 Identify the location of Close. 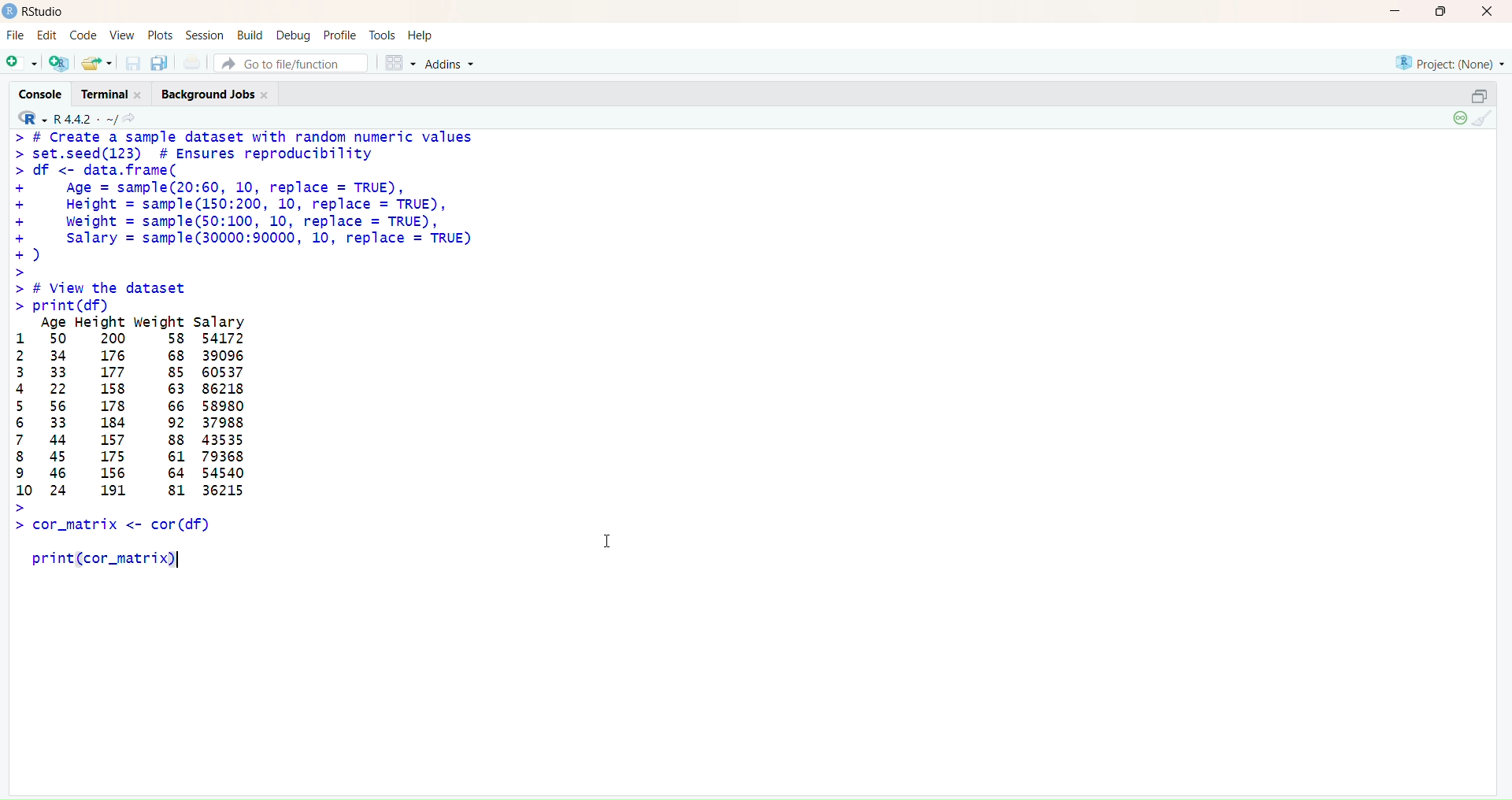
(1485, 13).